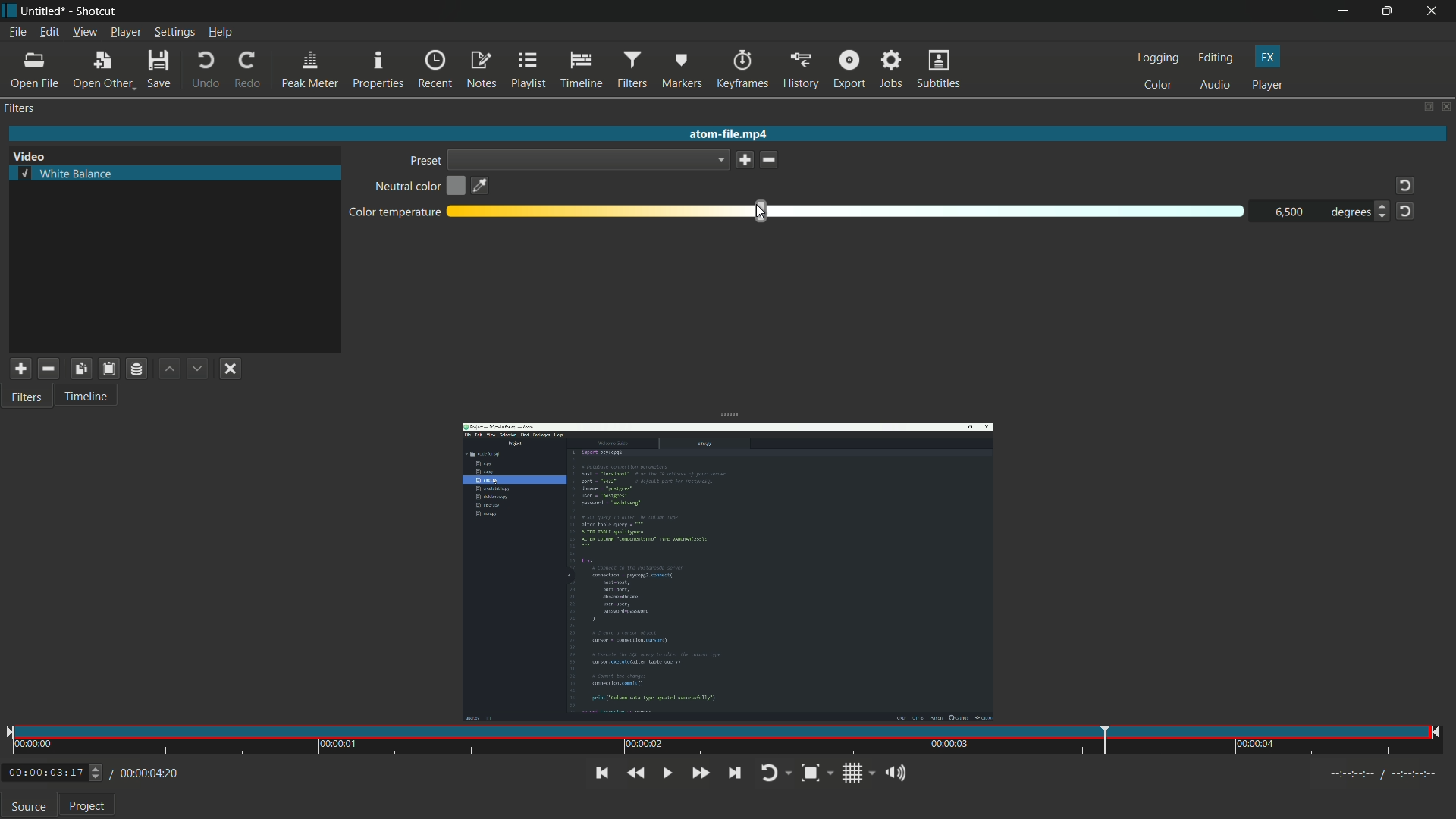 The width and height of the screenshot is (1456, 819). Describe the element at coordinates (1159, 58) in the screenshot. I see `logging` at that location.